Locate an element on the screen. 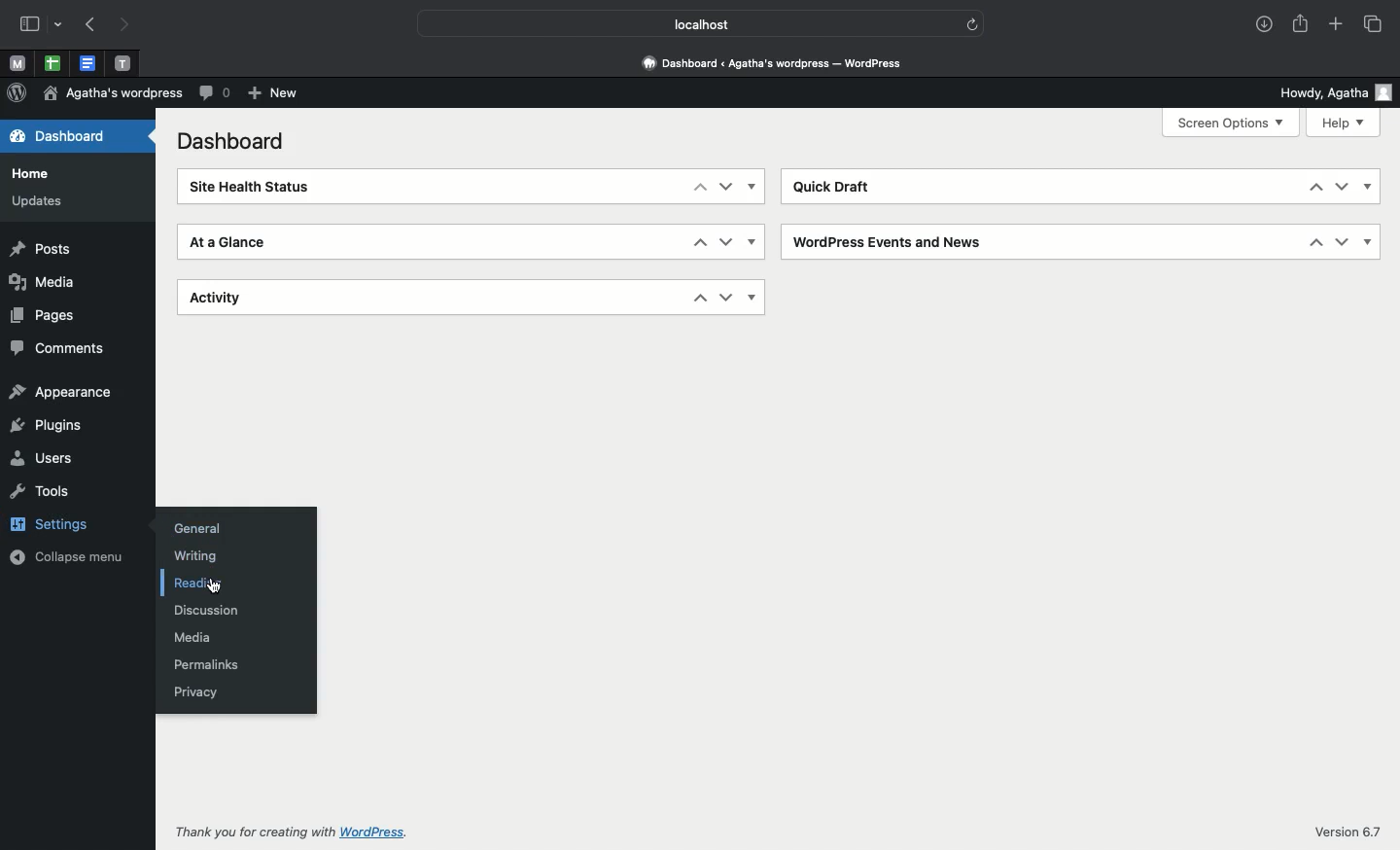 Image resolution: width=1400 pixels, height=850 pixels. Thank you for creating with Wordpress is located at coordinates (295, 832).